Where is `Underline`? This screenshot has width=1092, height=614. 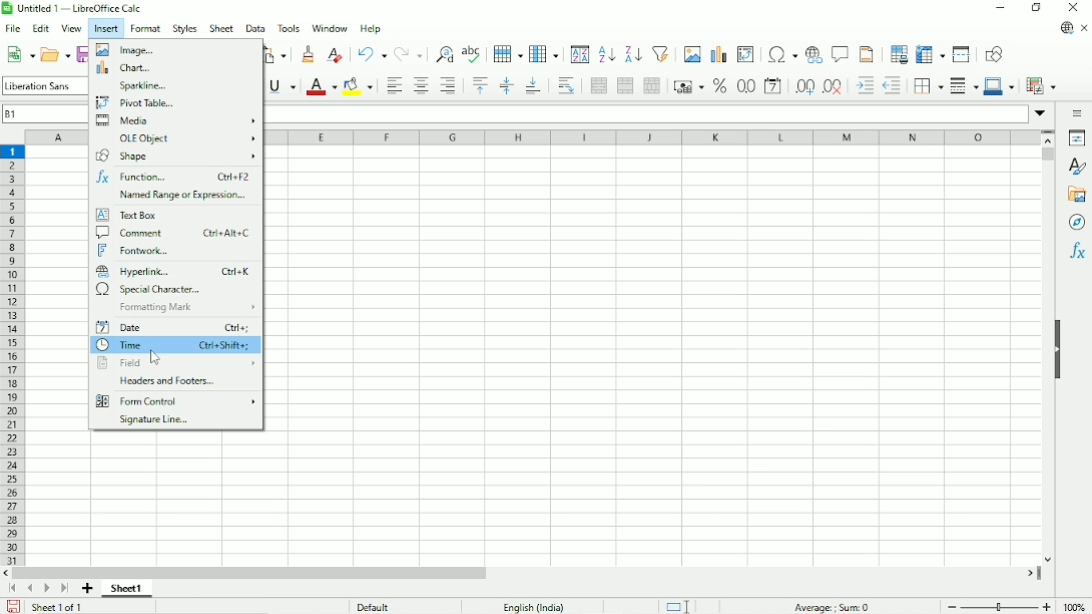 Underline is located at coordinates (283, 87).